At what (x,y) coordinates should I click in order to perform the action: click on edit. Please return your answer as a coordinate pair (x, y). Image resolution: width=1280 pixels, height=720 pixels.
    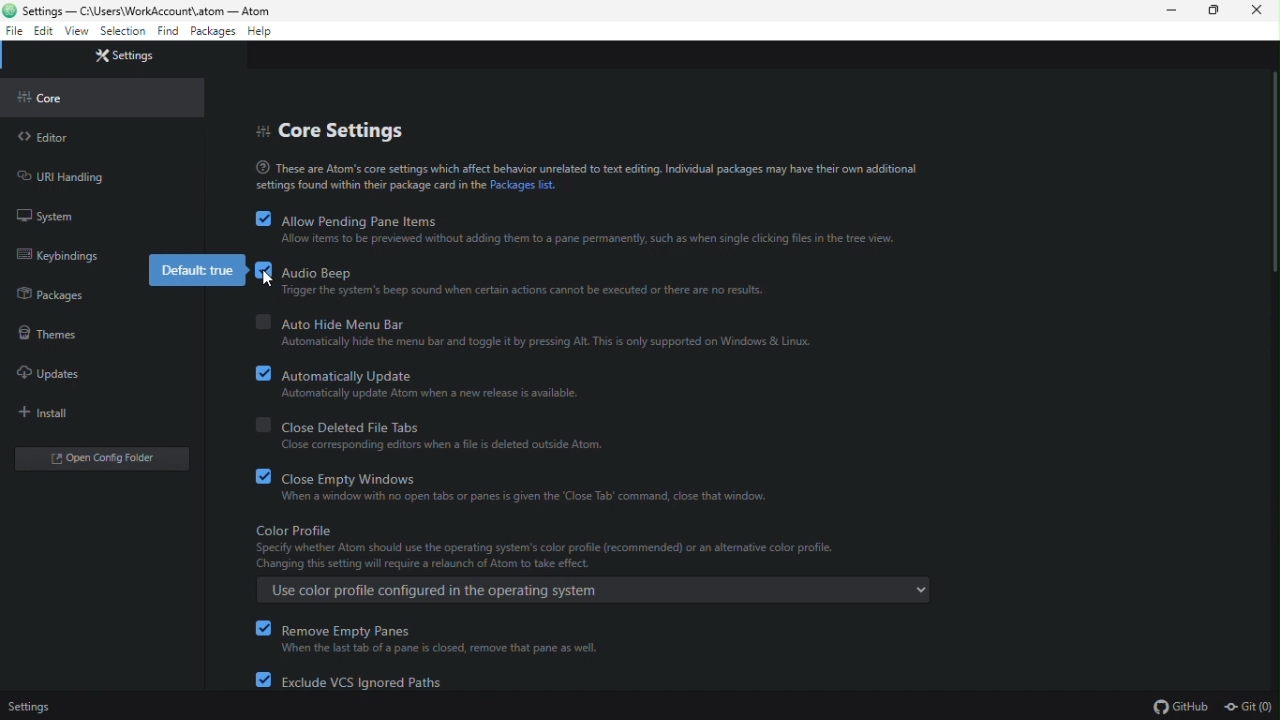
    Looking at the image, I should click on (44, 32).